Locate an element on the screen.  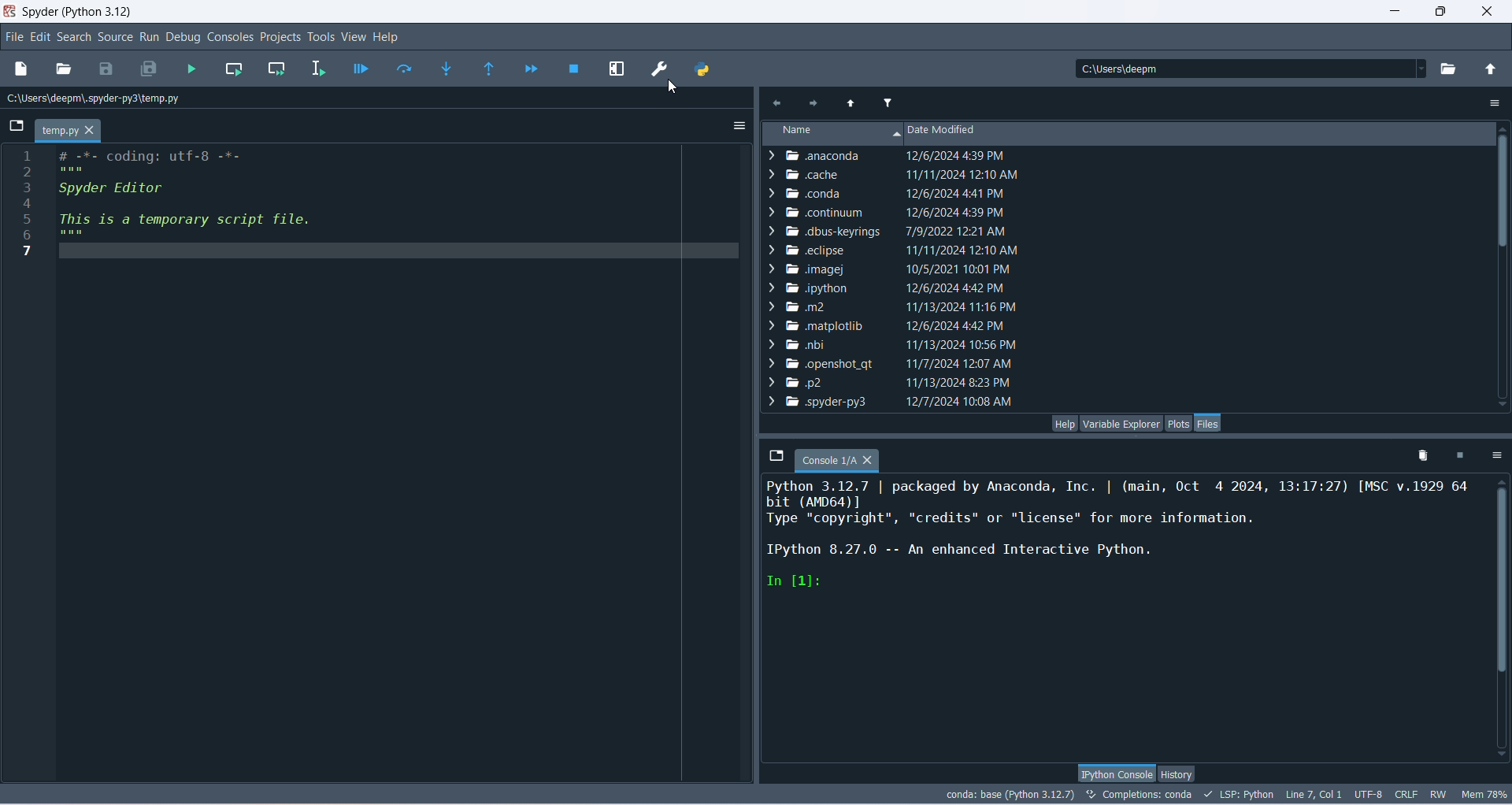
options is located at coordinates (1490, 102).